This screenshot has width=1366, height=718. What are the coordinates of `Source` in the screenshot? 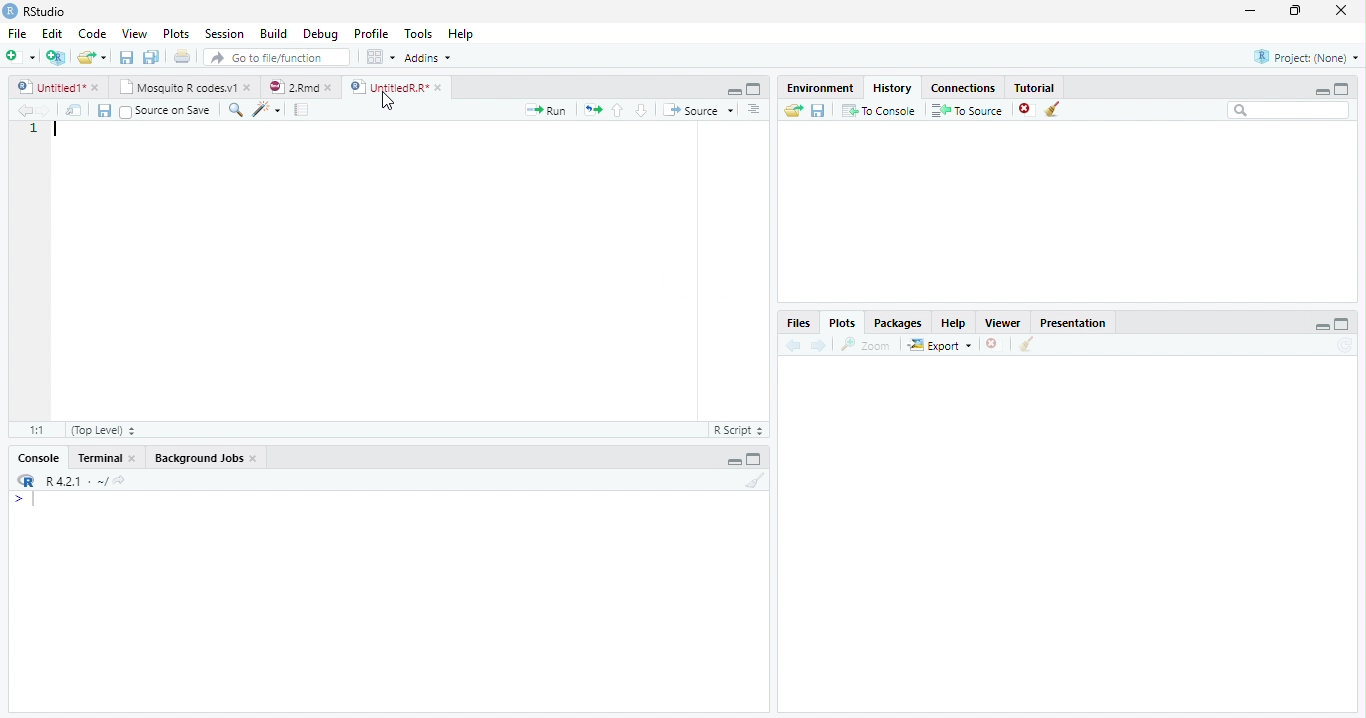 It's located at (698, 110).